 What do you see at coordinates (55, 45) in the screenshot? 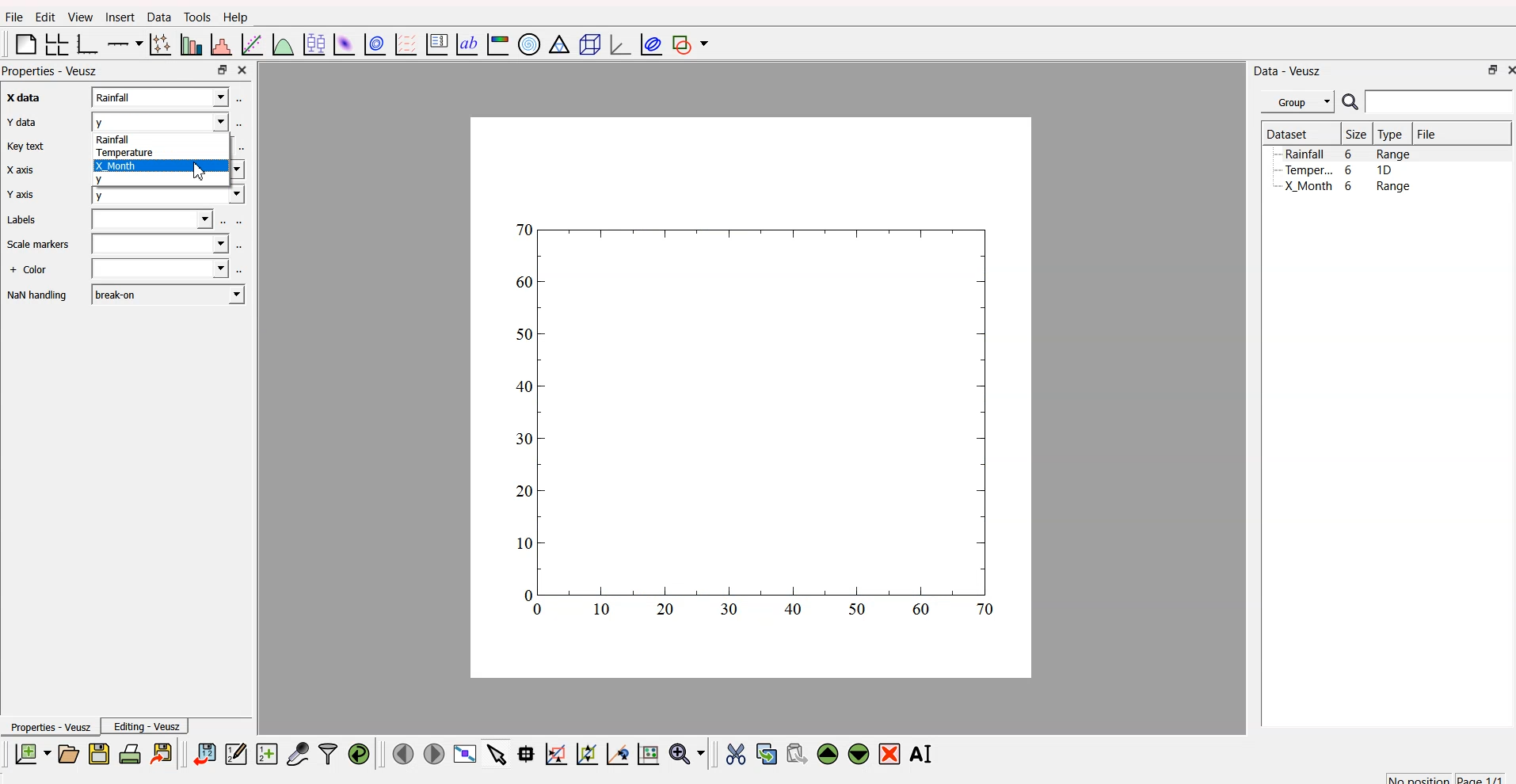
I see `arrange grid in graph` at bounding box center [55, 45].